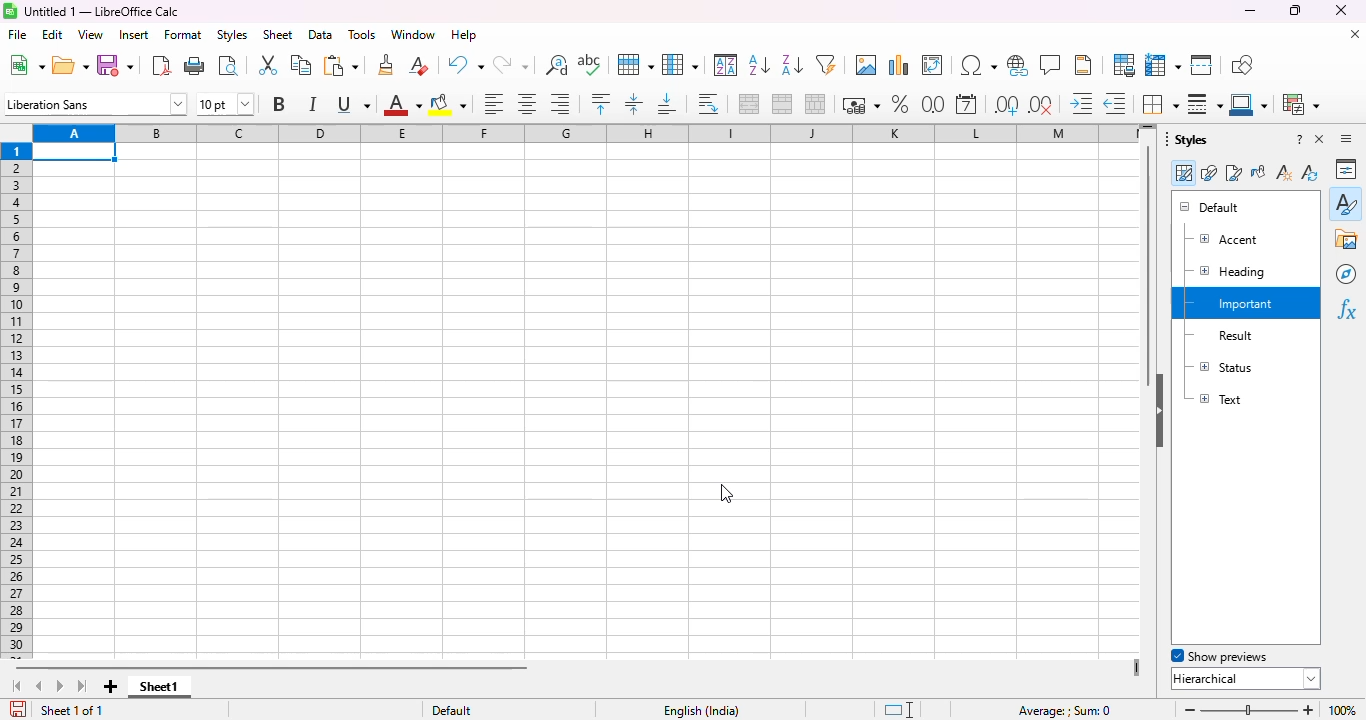 The width and height of the screenshot is (1366, 720). What do you see at coordinates (1220, 656) in the screenshot?
I see `show previews` at bounding box center [1220, 656].